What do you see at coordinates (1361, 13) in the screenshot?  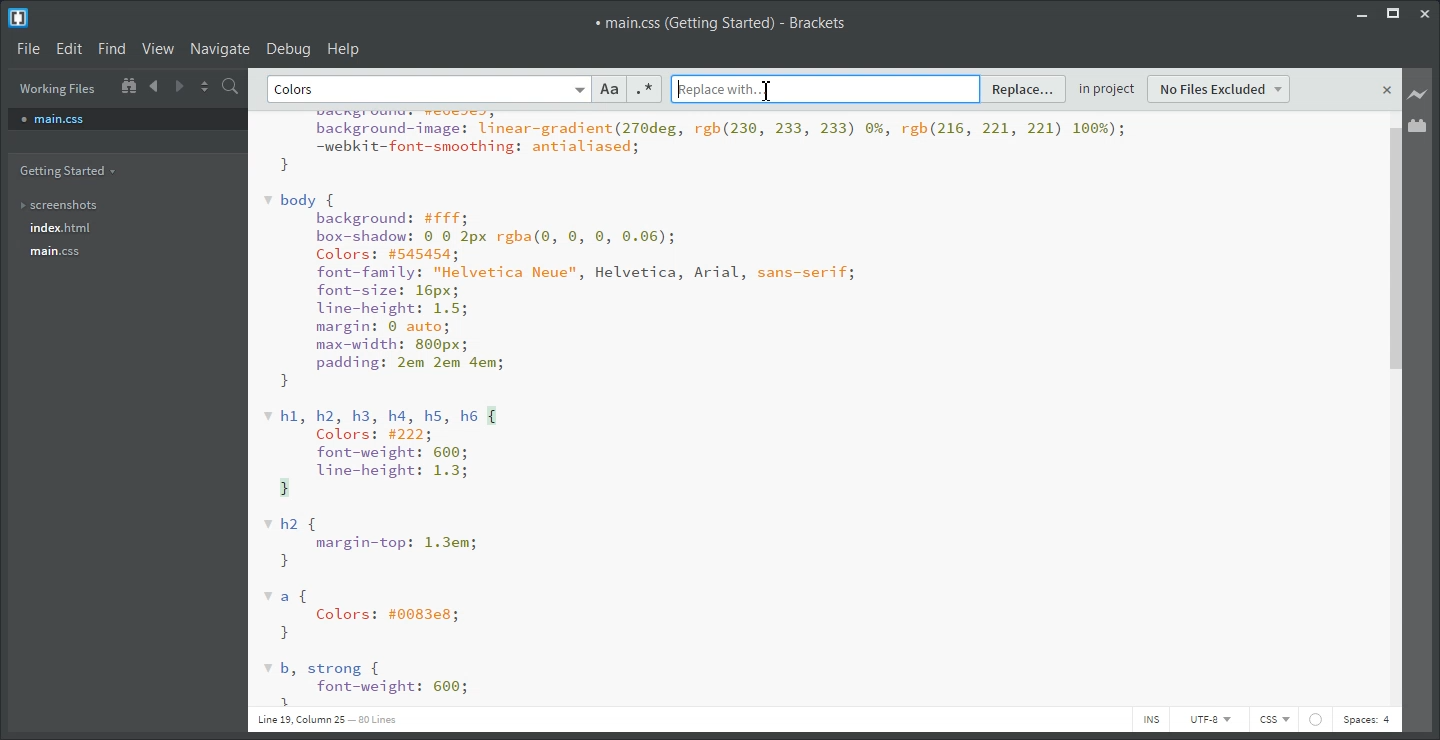 I see `Minimize` at bounding box center [1361, 13].